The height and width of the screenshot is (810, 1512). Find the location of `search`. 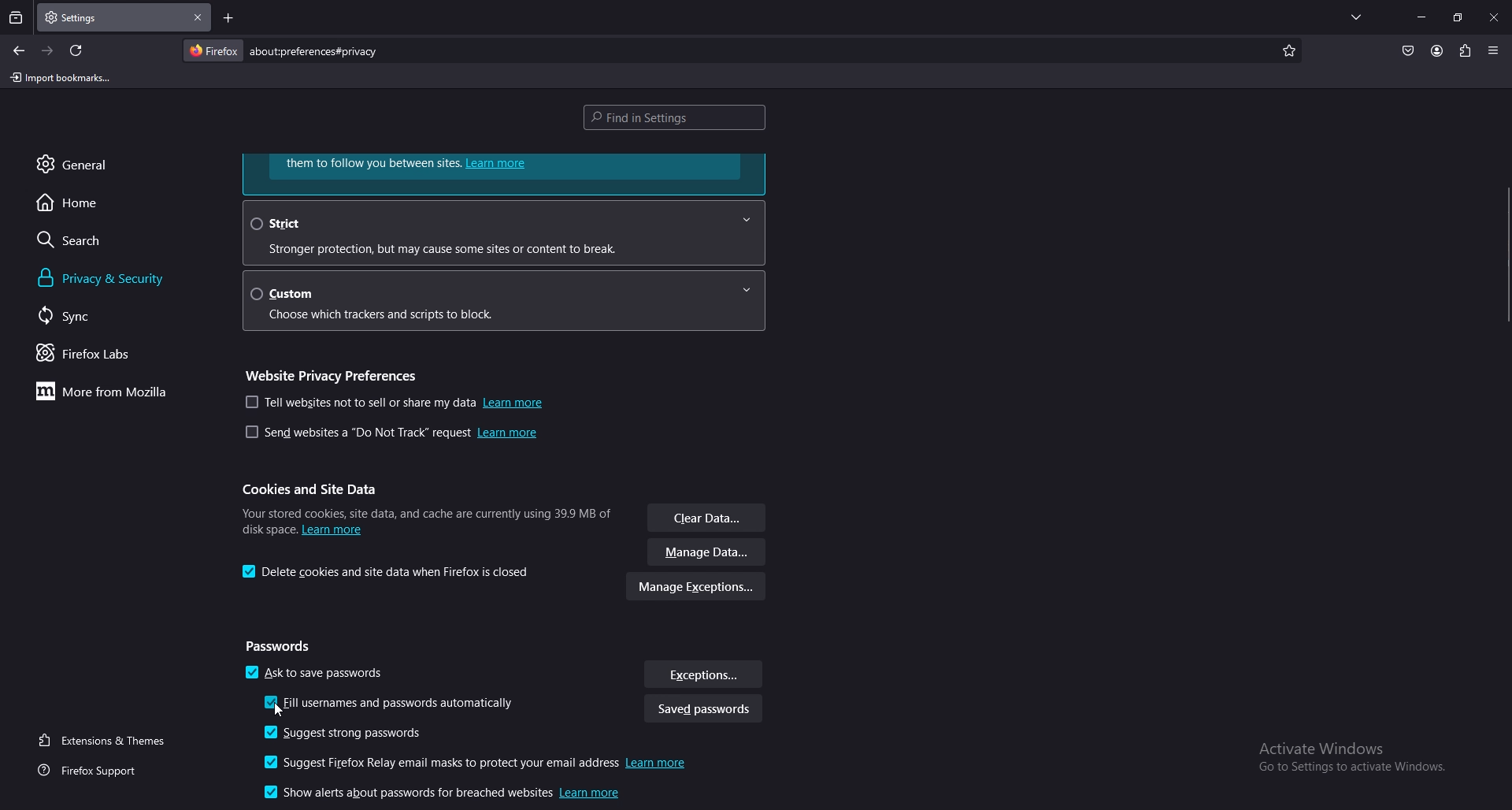

search is located at coordinates (97, 240).